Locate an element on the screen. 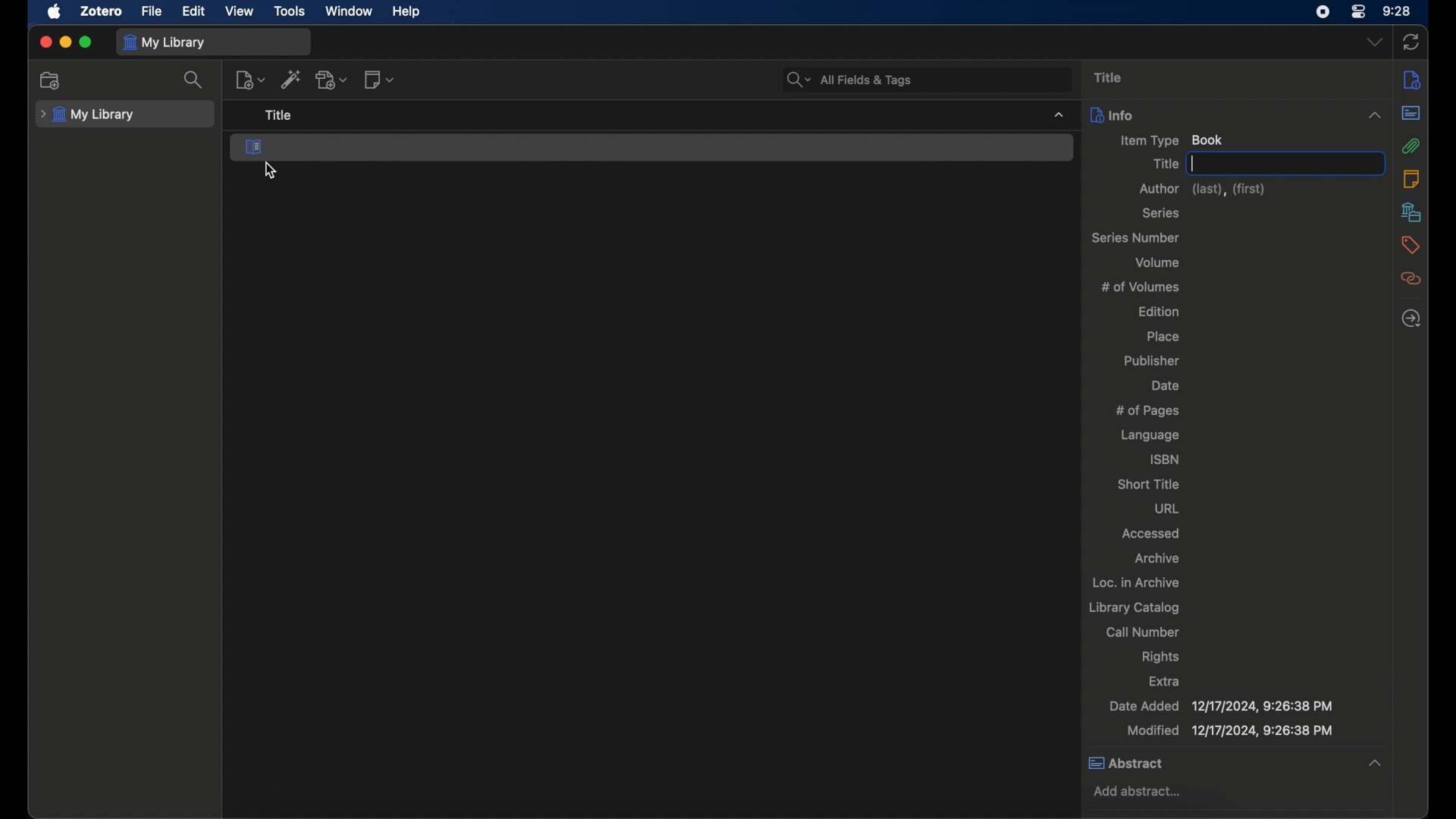  modified is located at coordinates (1230, 730).